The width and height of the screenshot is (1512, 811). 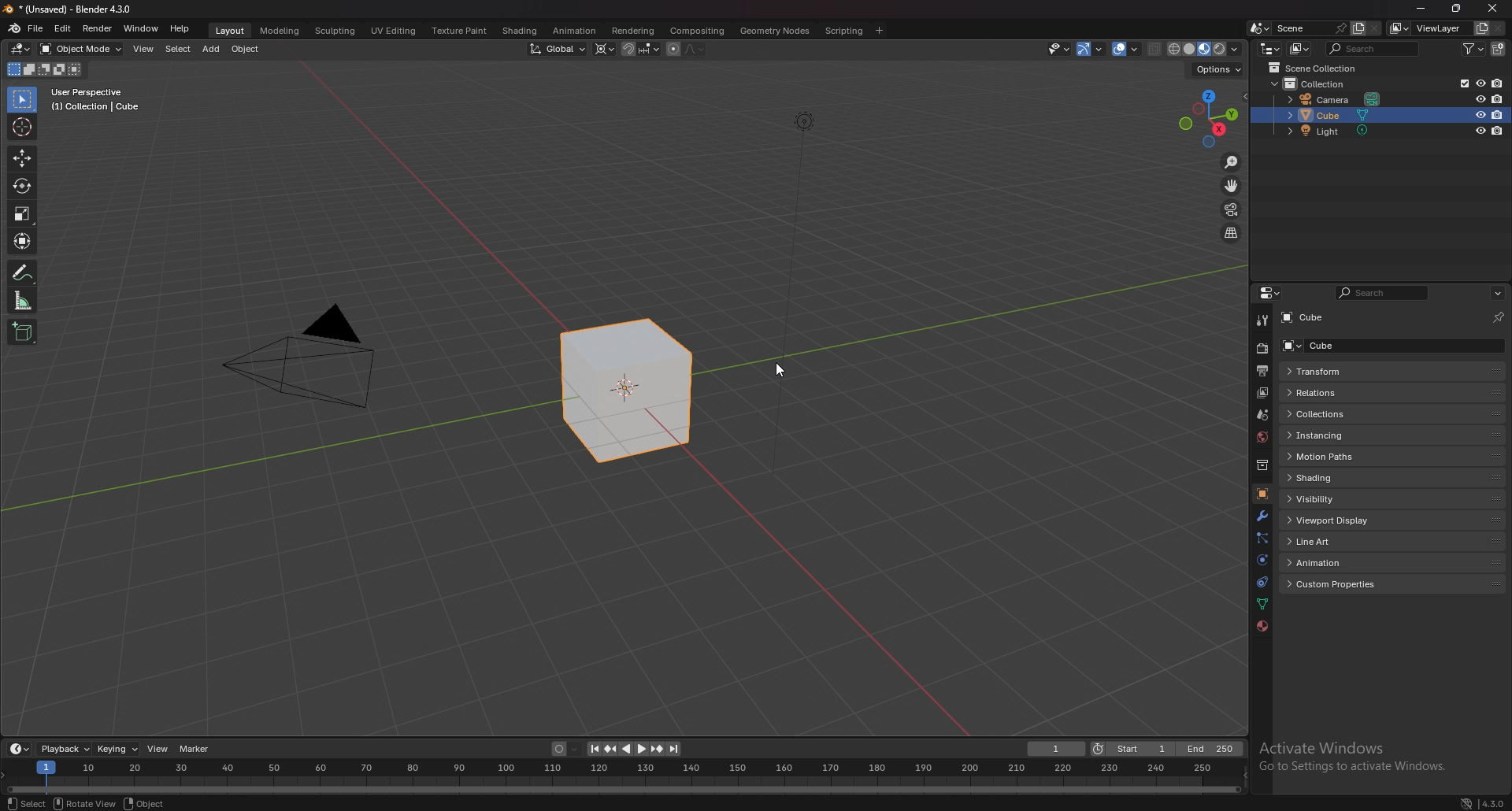 What do you see at coordinates (1473, 48) in the screenshot?
I see `filter` at bounding box center [1473, 48].